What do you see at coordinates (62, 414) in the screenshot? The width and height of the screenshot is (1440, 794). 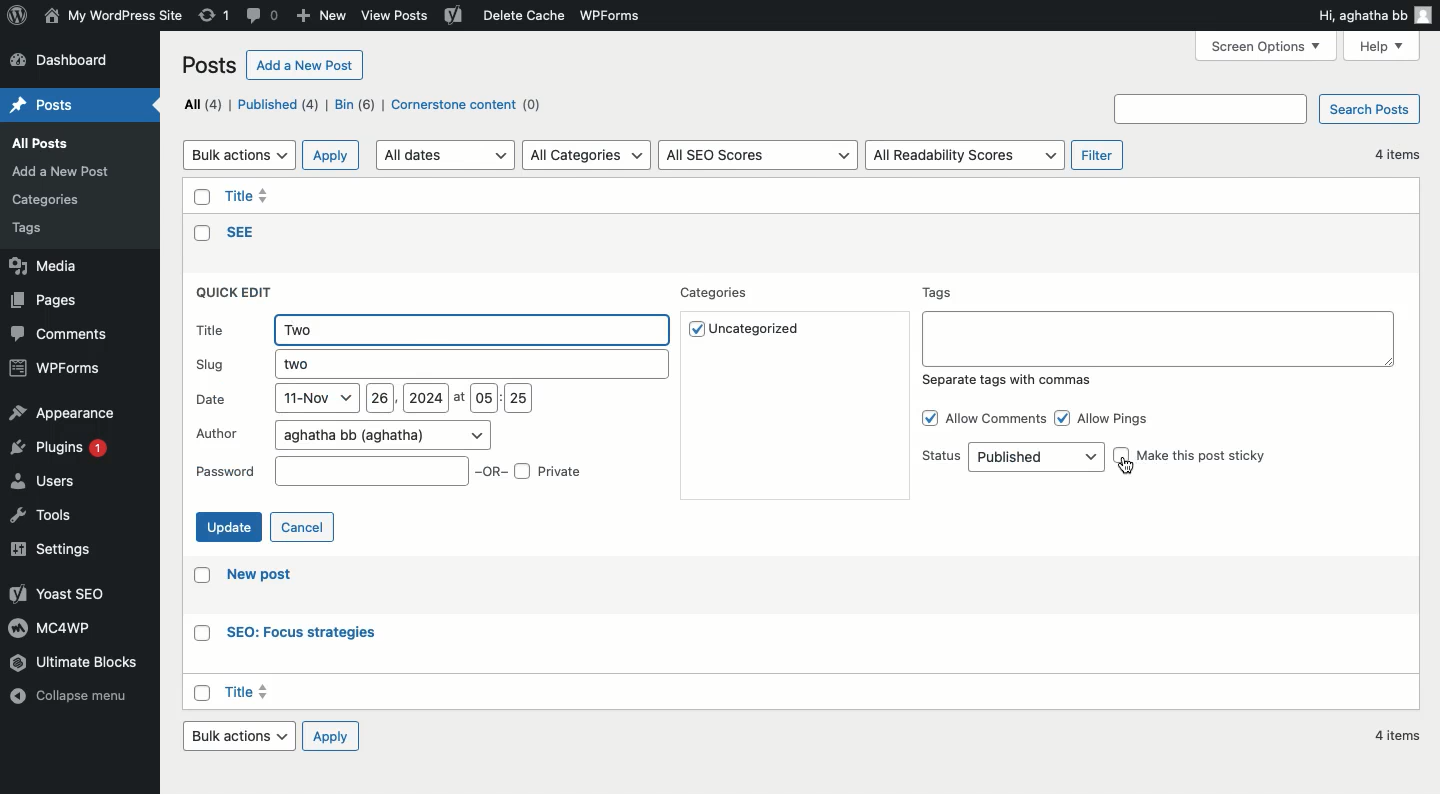 I see `Appearance` at bounding box center [62, 414].